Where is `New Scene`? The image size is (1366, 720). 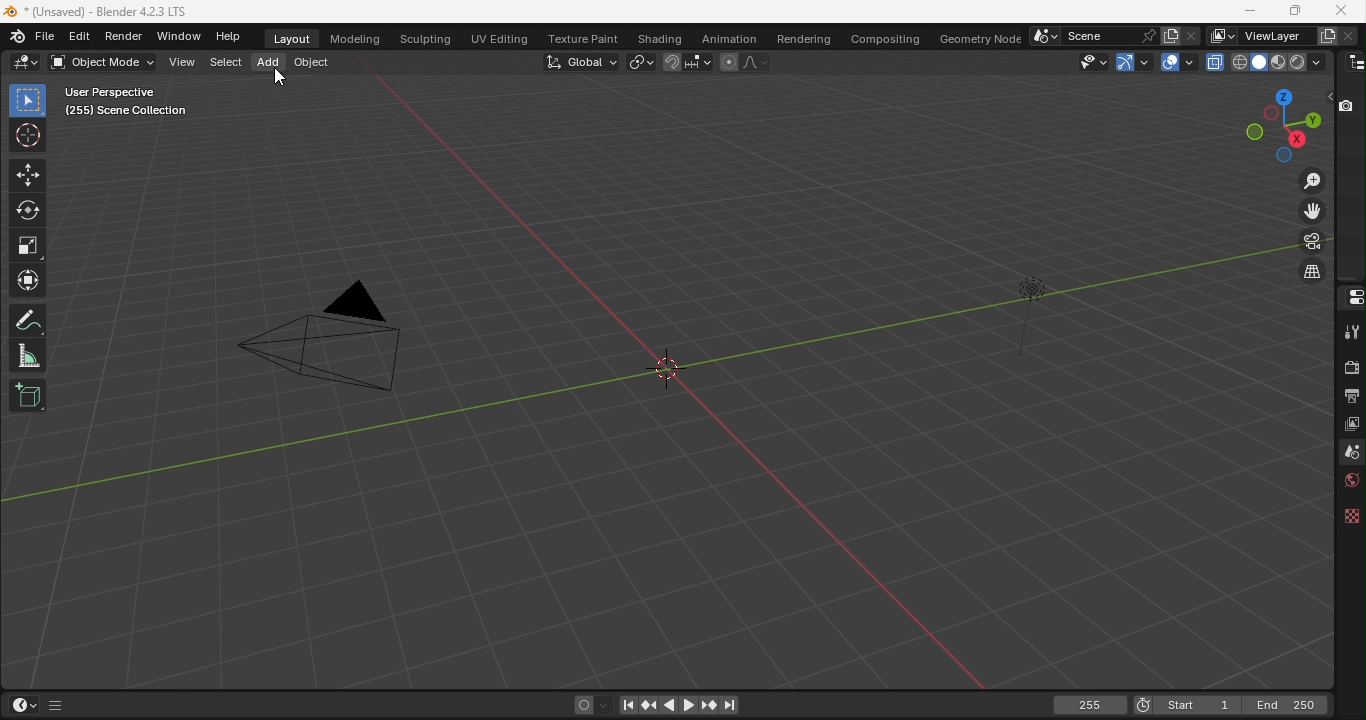 New Scene is located at coordinates (1170, 35).